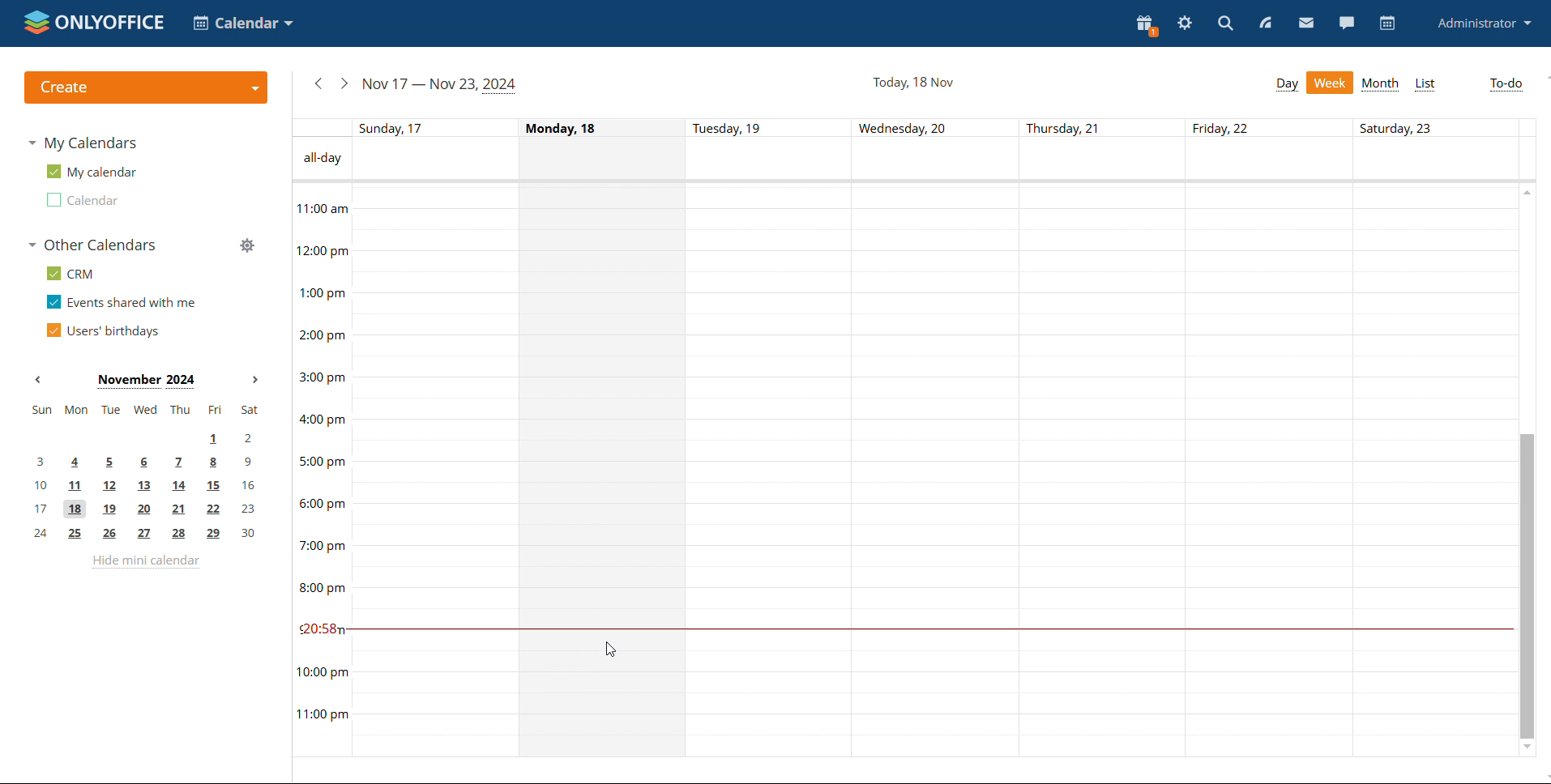 This screenshot has width=1551, height=784. Describe the element at coordinates (1307, 23) in the screenshot. I see `mail` at that location.